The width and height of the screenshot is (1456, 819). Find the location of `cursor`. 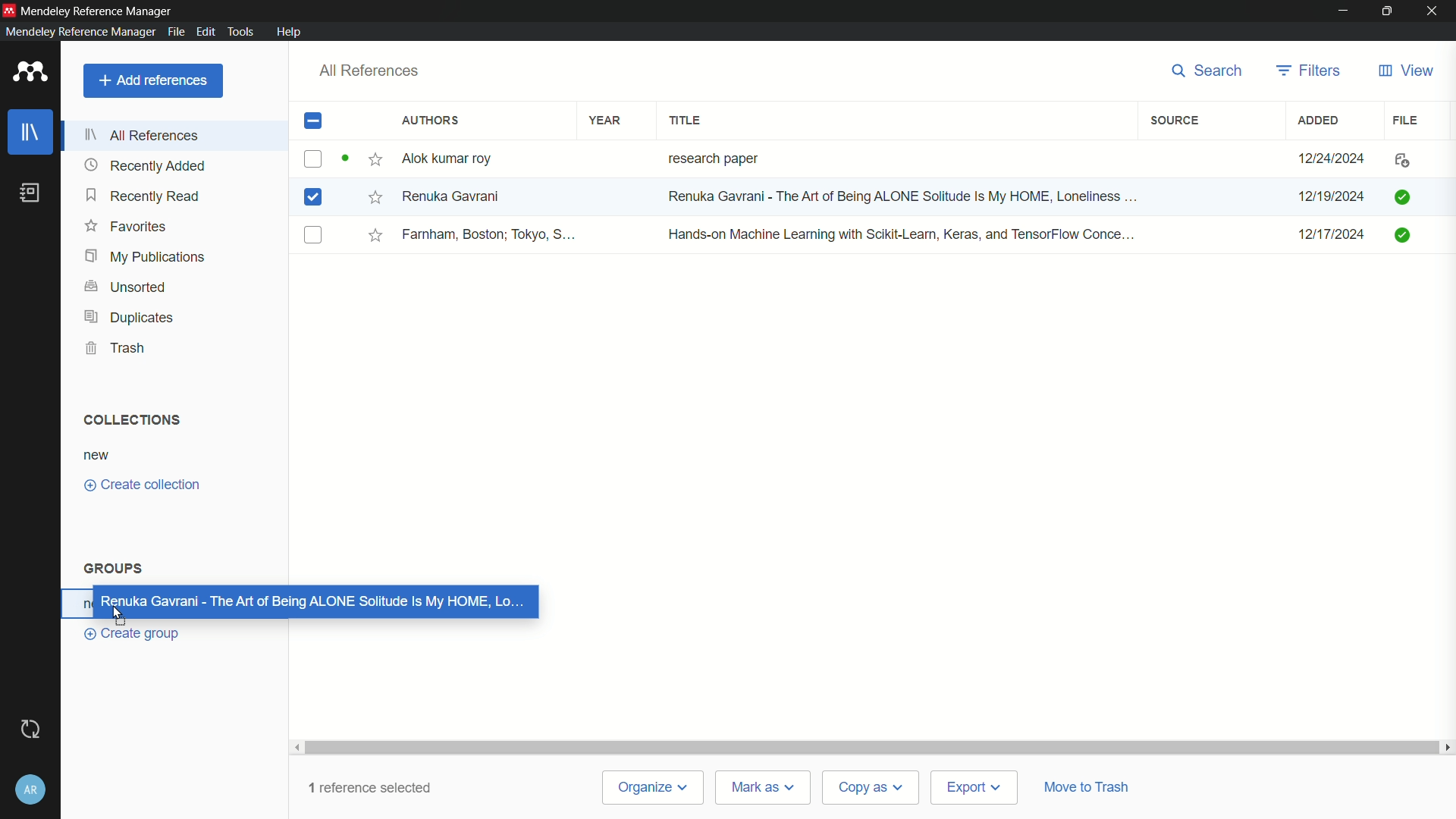

cursor is located at coordinates (592, 207).